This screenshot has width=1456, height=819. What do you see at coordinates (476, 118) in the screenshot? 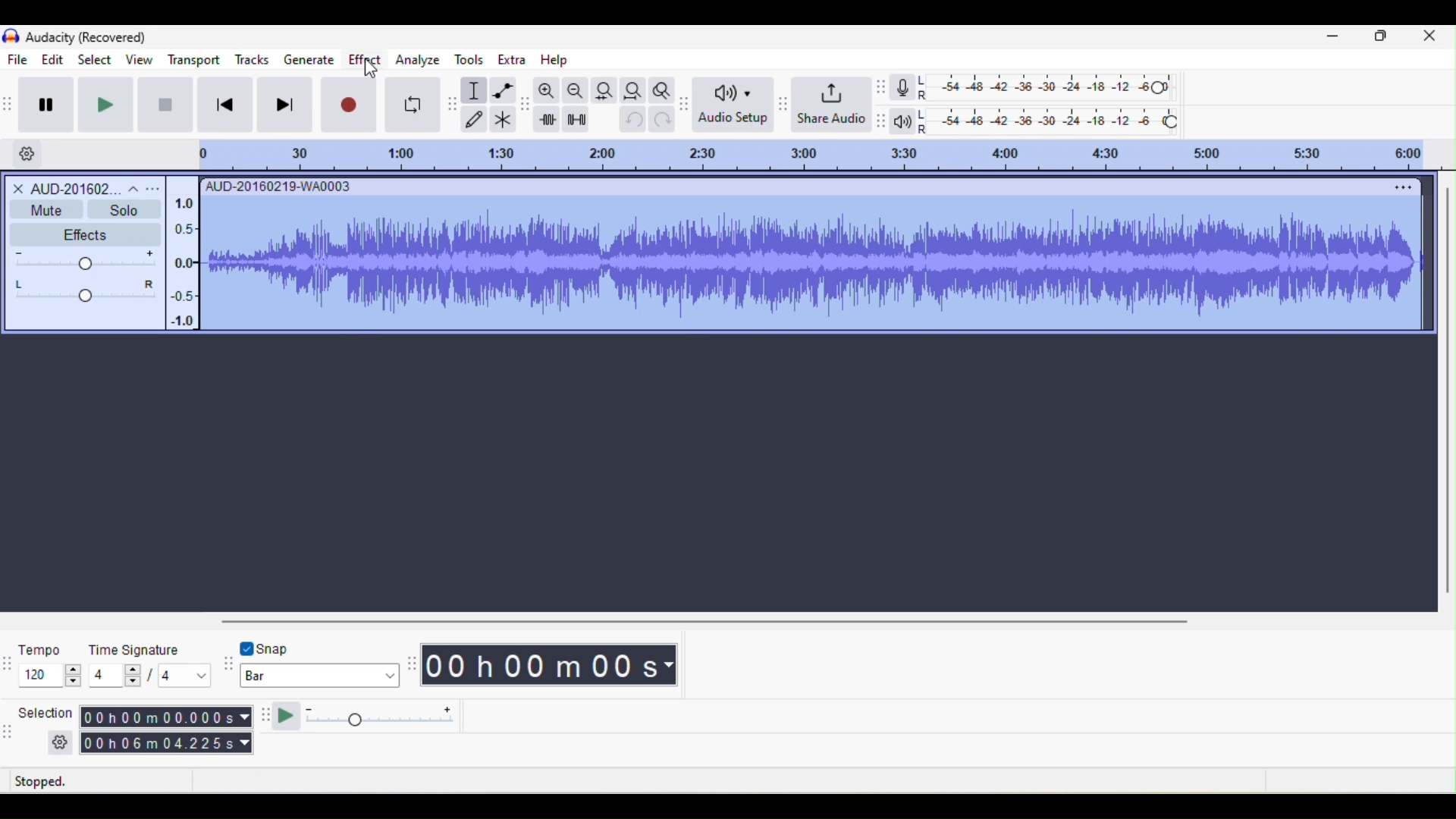
I see `draw tool` at bounding box center [476, 118].